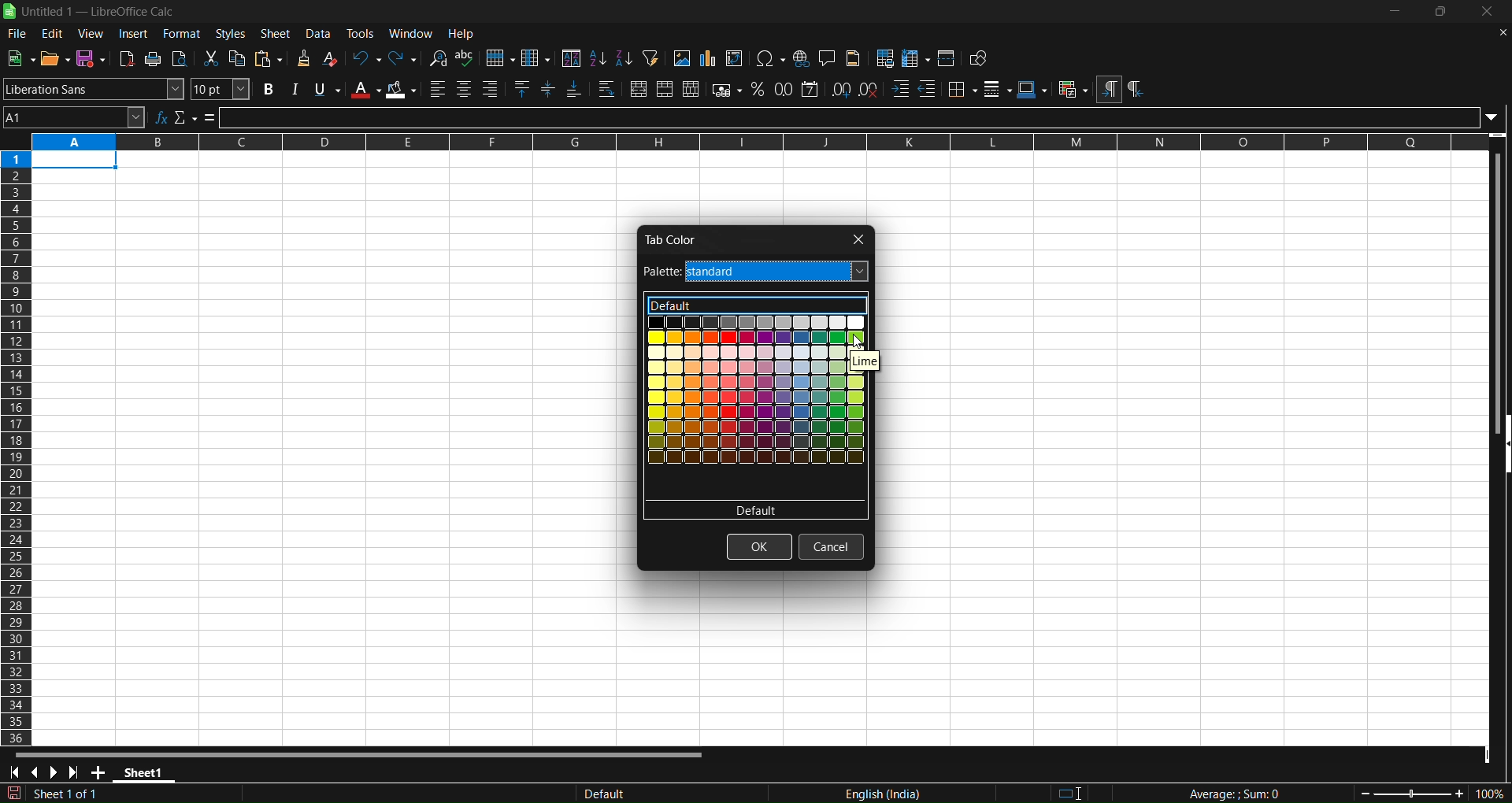 The height and width of the screenshot is (803, 1512). Describe the element at coordinates (94, 88) in the screenshot. I see `font name` at that location.